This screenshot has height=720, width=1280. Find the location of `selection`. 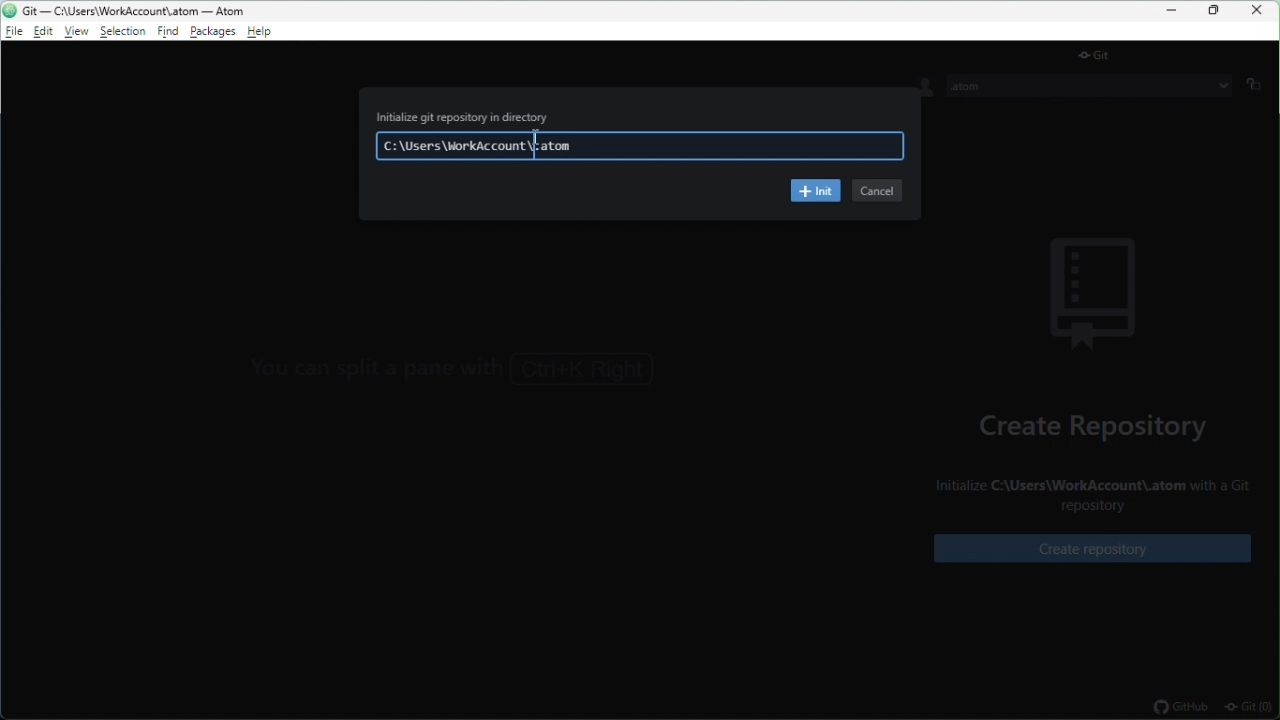

selection is located at coordinates (125, 34).